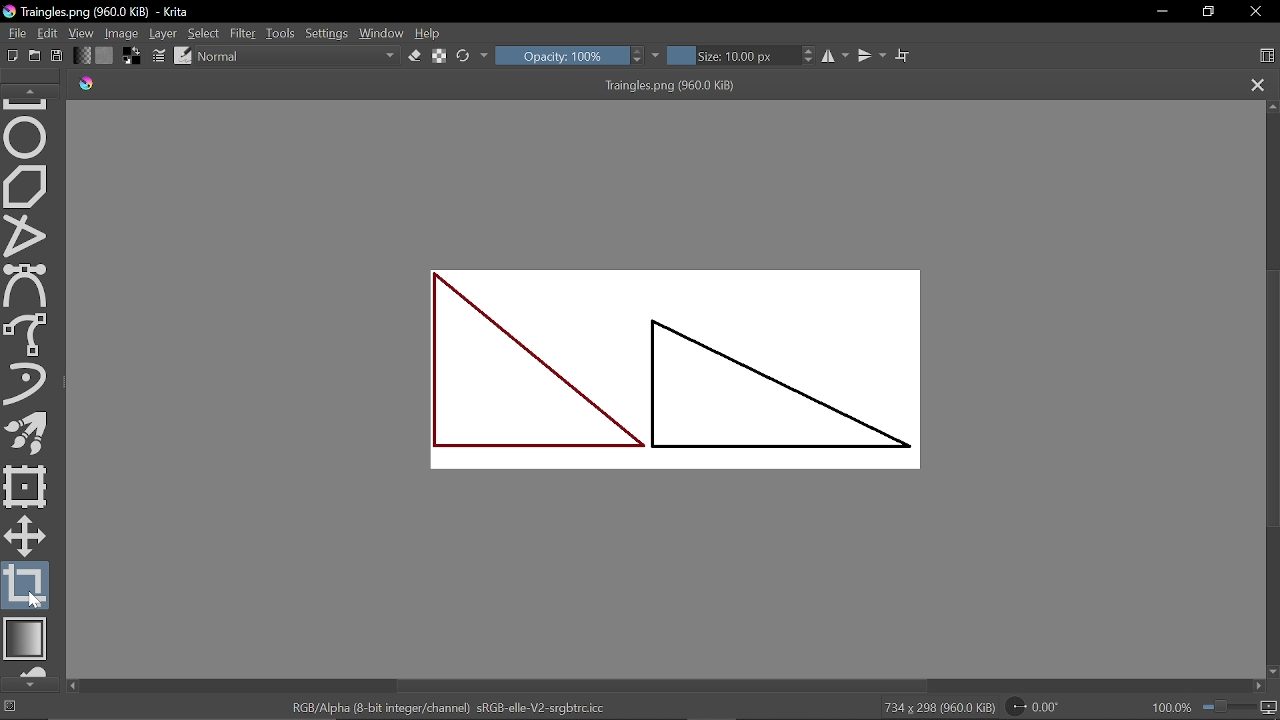  What do you see at coordinates (27, 237) in the screenshot?
I see `Polyline tool` at bounding box center [27, 237].